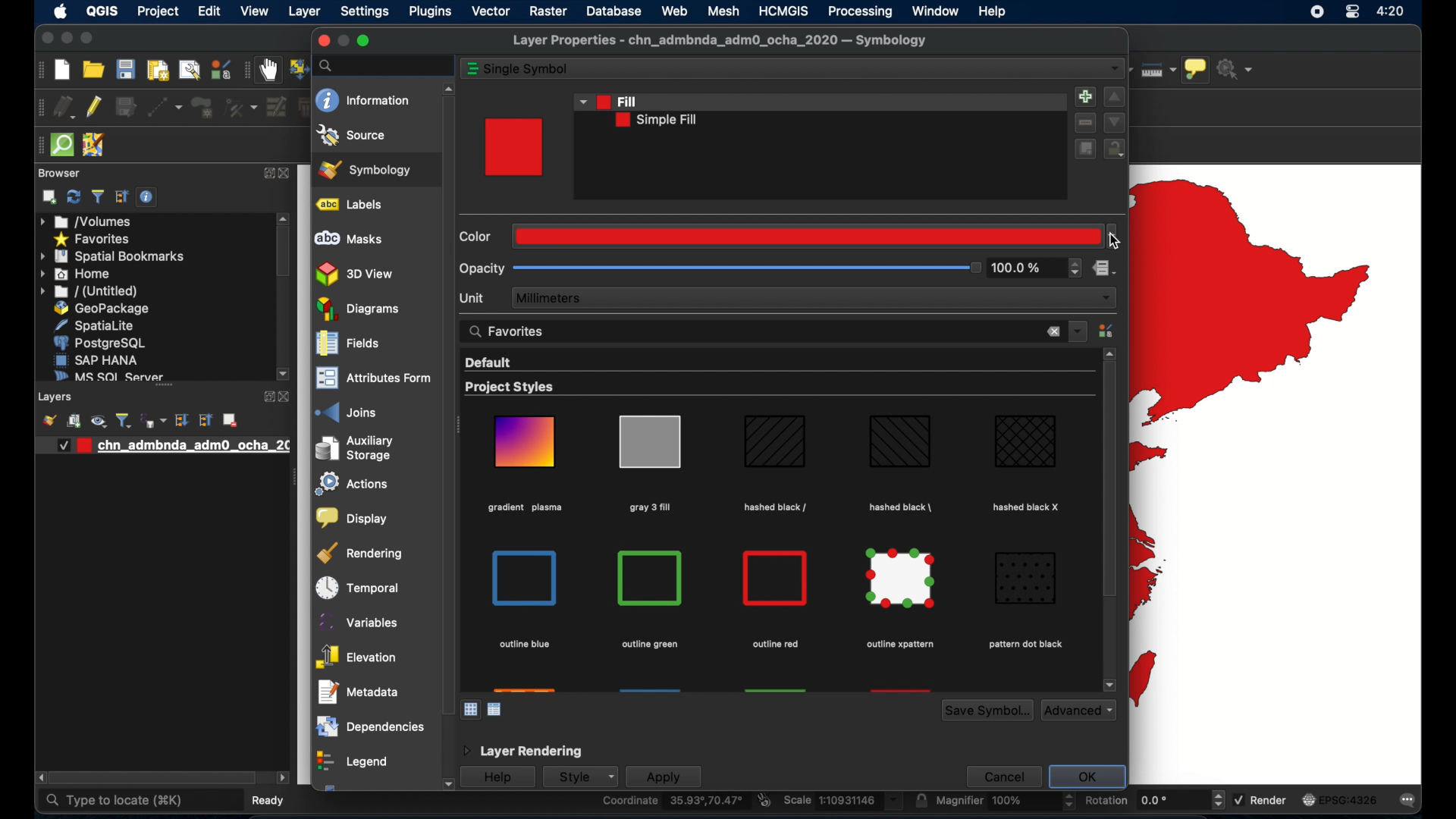 This screenshot has height=819, width=1456. What do you see at coordinates (526, 578) in the screenshot?
I see `Gradient preview ` at bounding box center [526, 578].